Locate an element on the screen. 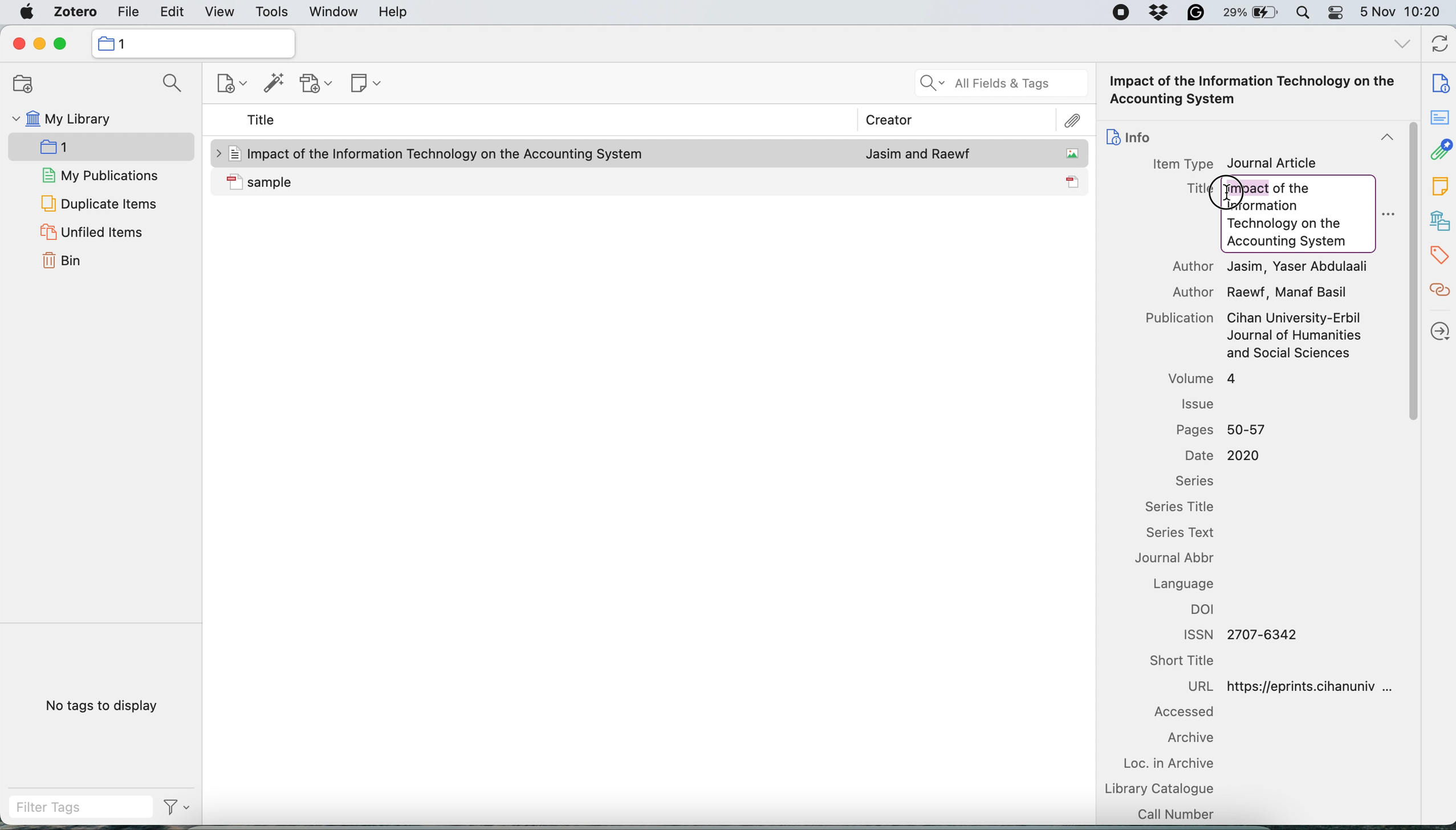  locate is located at coordinates (1438, 332).